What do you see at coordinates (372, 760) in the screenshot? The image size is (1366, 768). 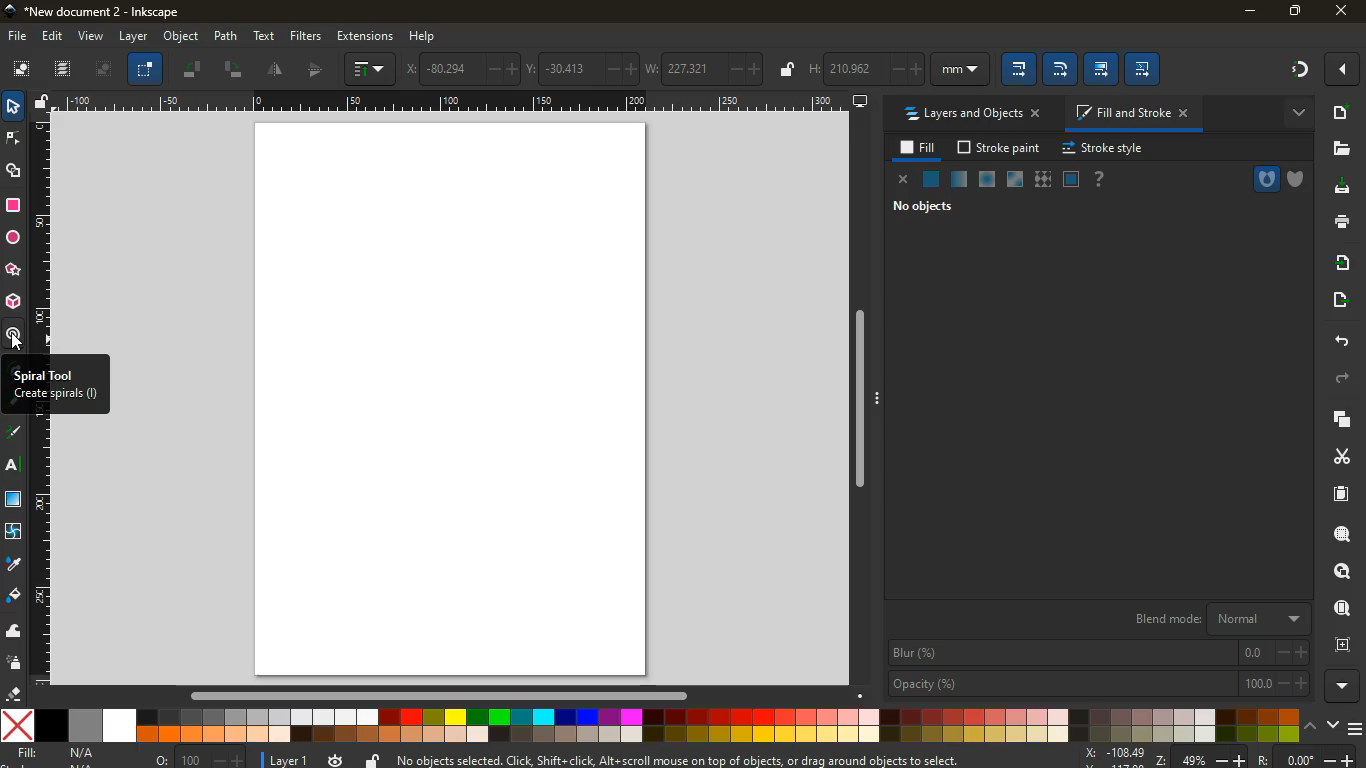 I see `unlock` at bounding box center [372, 760].